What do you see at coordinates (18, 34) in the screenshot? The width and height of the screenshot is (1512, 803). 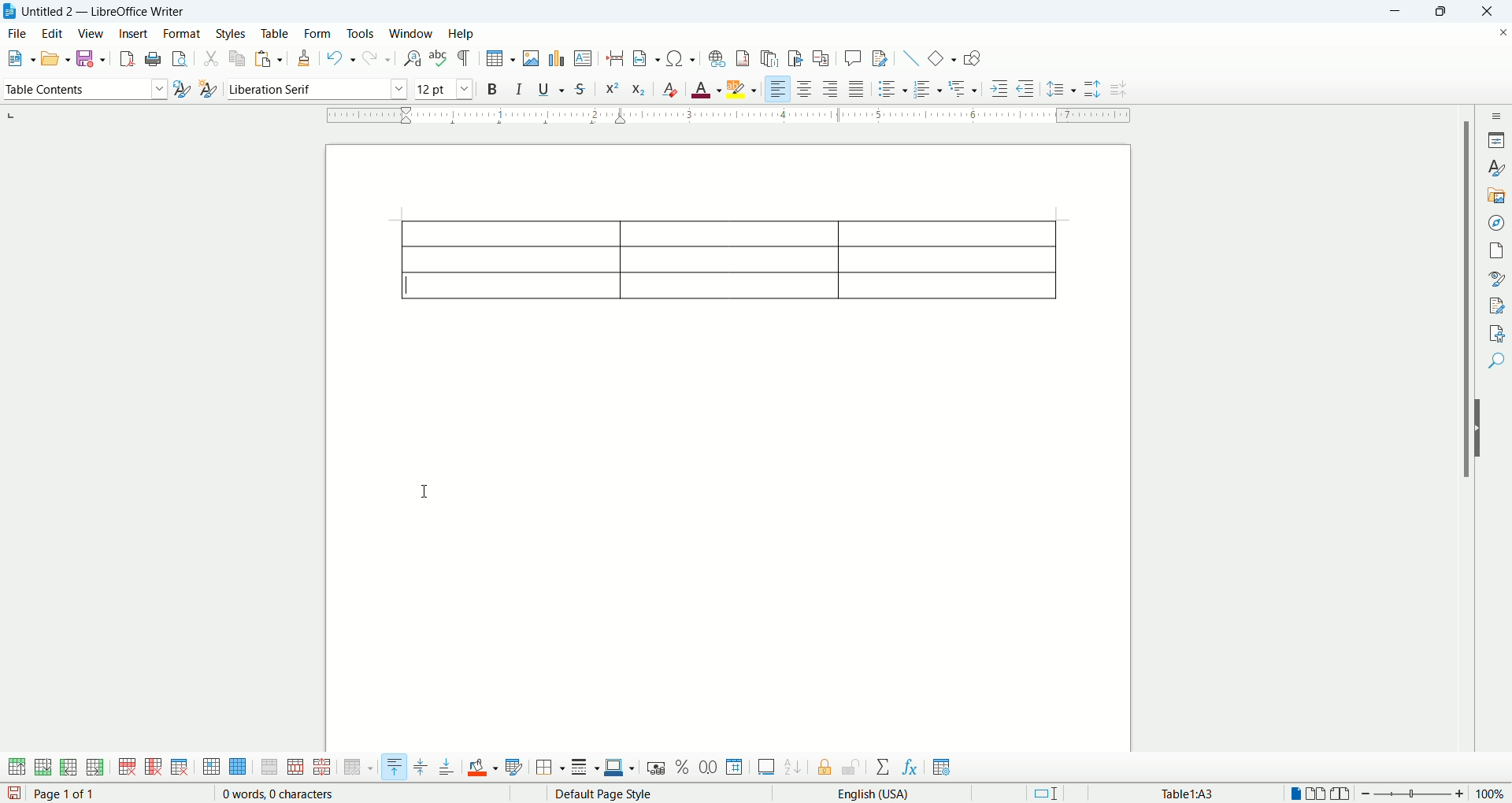 I see `file` at bounding box center [18, 34].